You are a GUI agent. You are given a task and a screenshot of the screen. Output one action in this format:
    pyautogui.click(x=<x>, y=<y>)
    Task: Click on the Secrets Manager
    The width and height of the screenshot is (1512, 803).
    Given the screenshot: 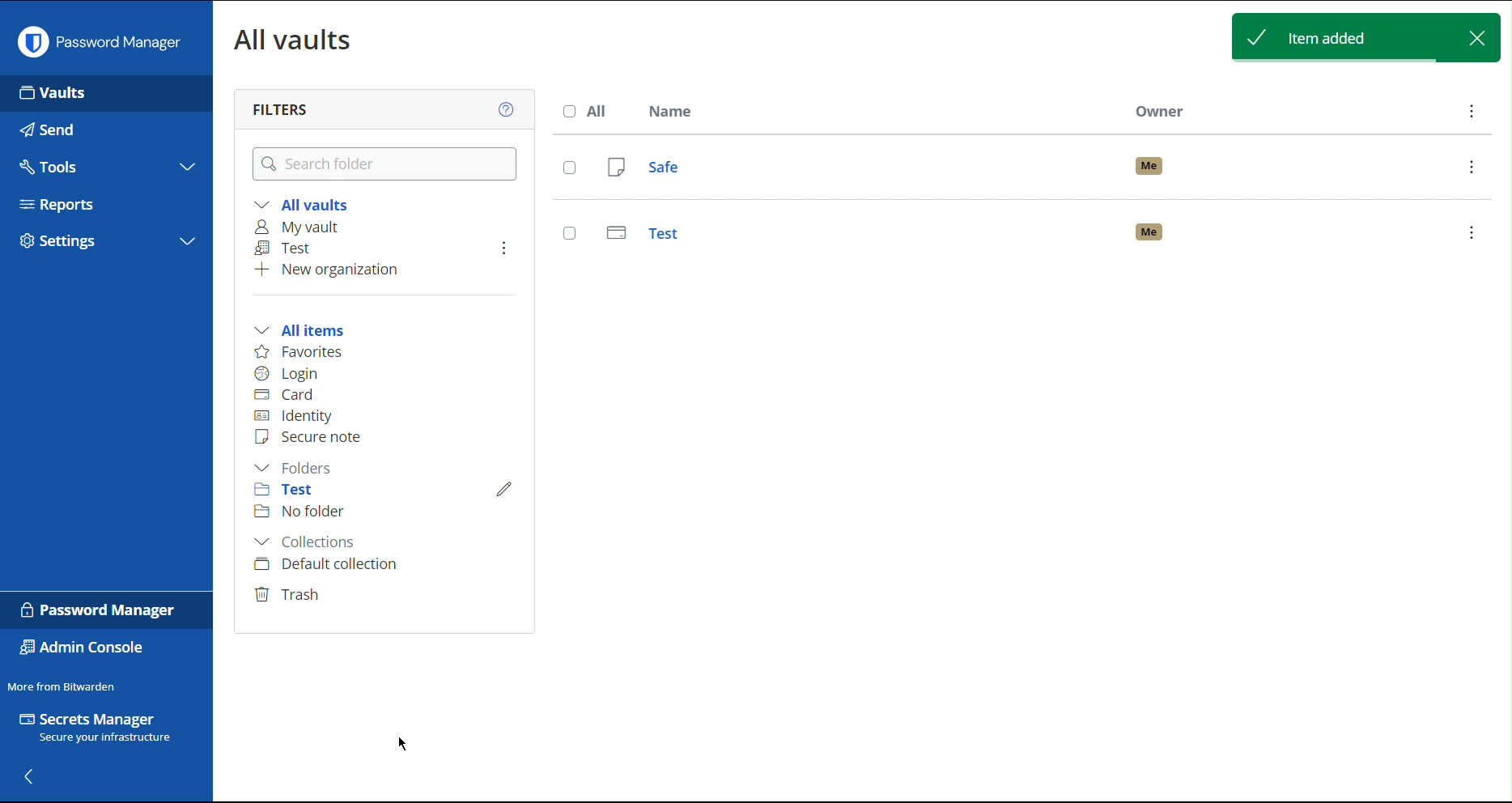 What is the action you would take?
    pyautogui.click(x=105, y=731)
    